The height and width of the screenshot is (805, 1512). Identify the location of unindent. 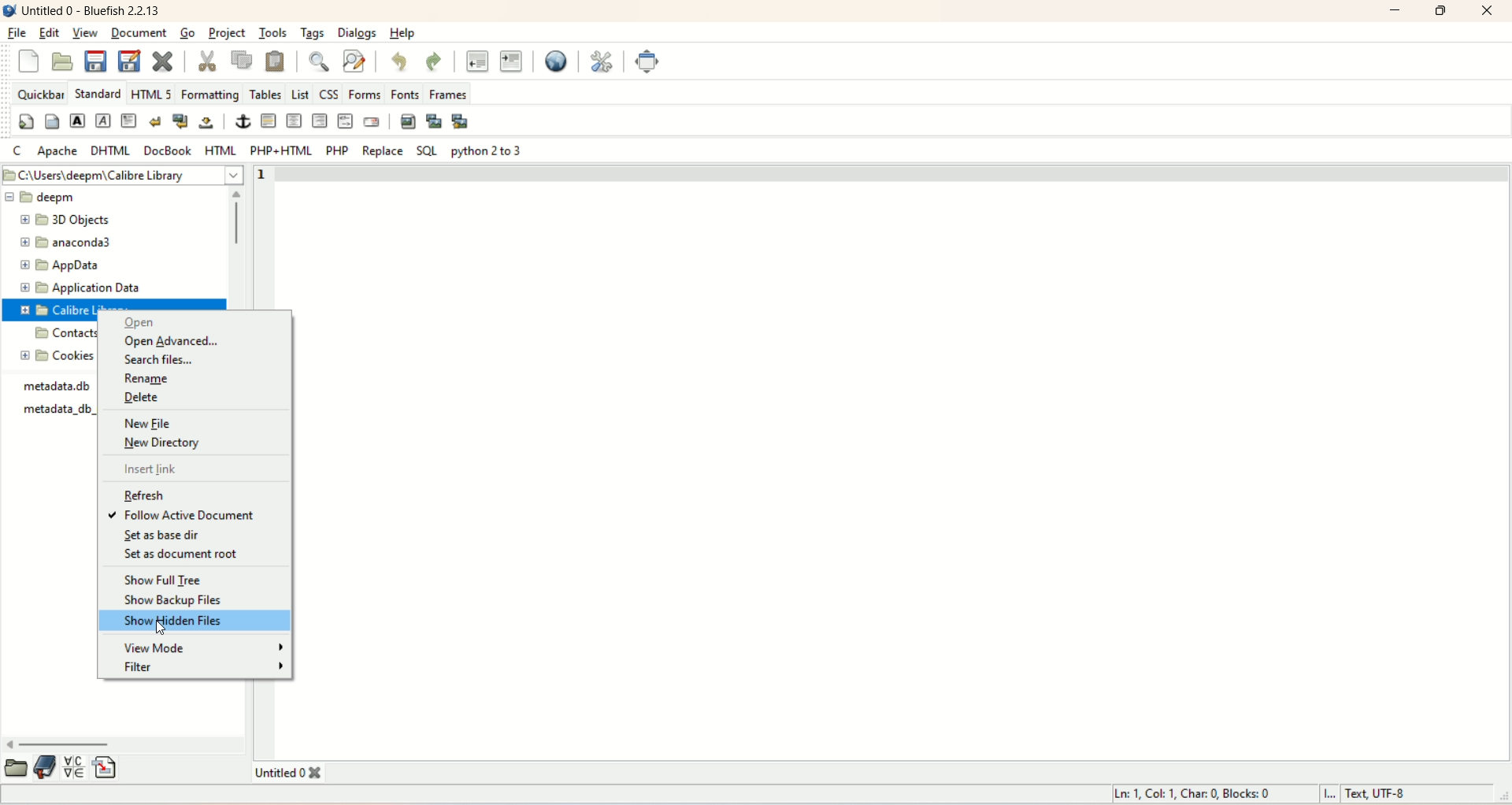
(476, 60).